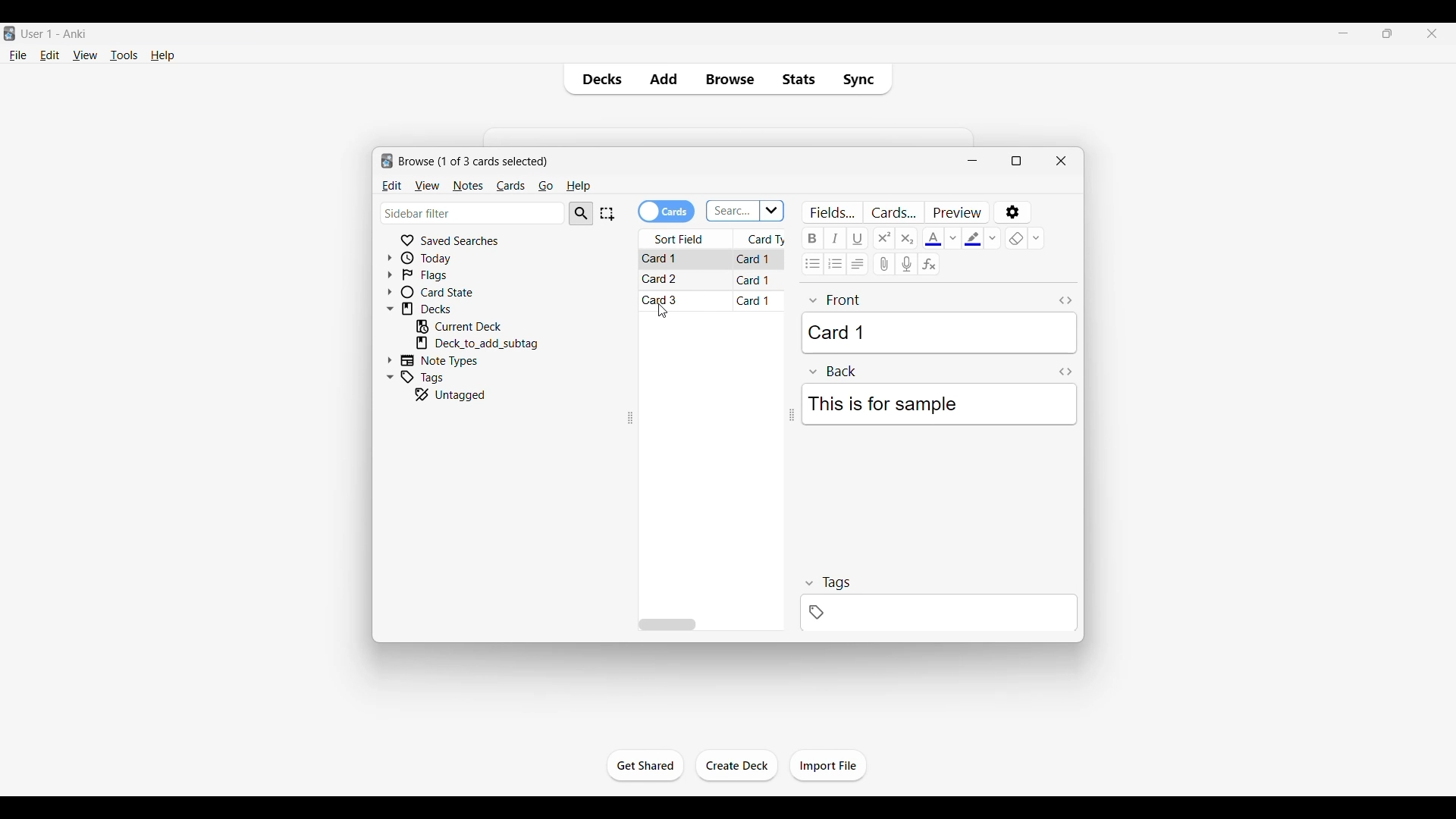 The height and width of the screenshot is (819, 1456). Describe the element at coordinates (469, 326) in the screenshot. I see `Click to go to current deck` at that location.